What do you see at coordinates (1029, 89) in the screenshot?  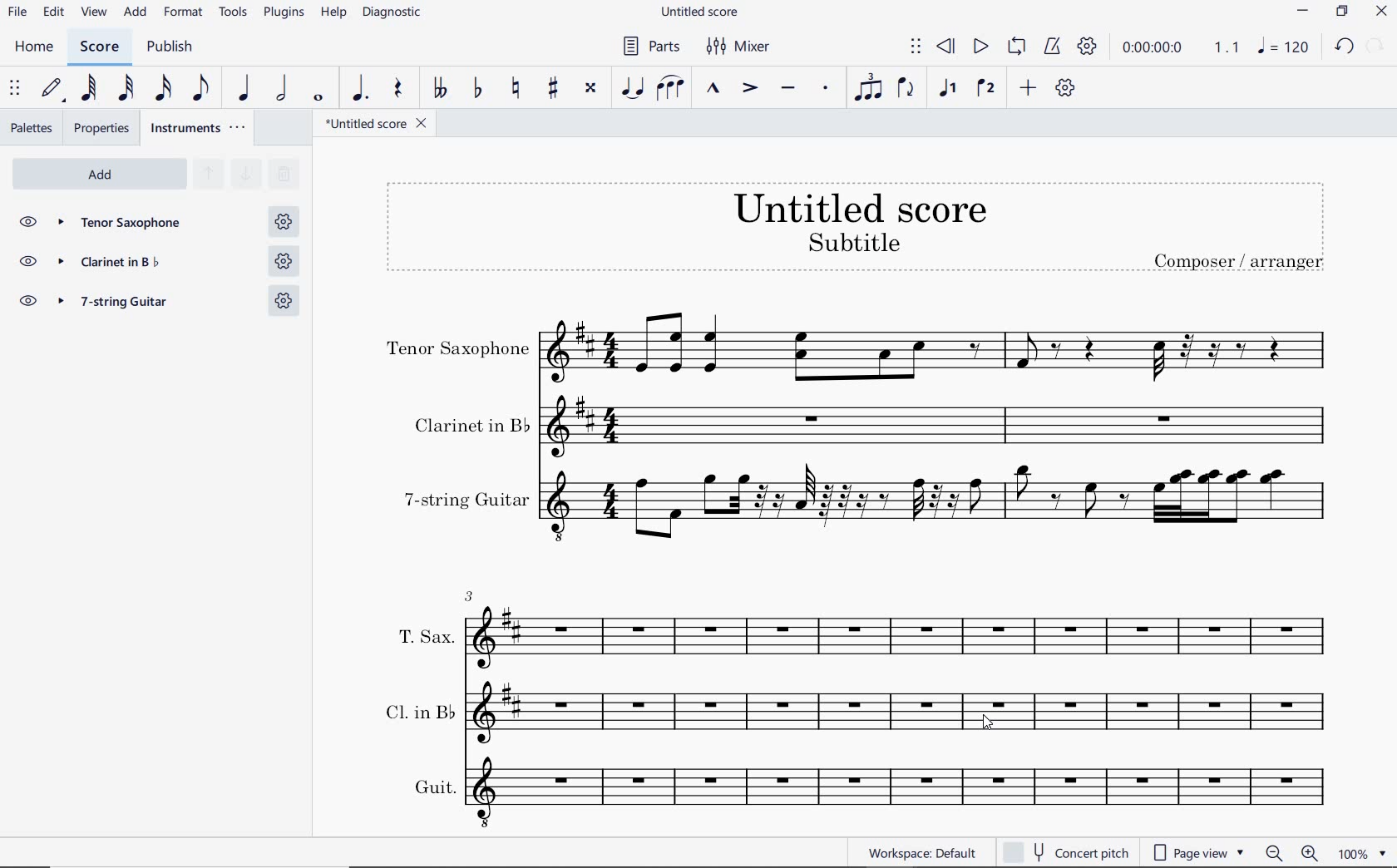 I see `ADD` at bounding box center [1029, 89].